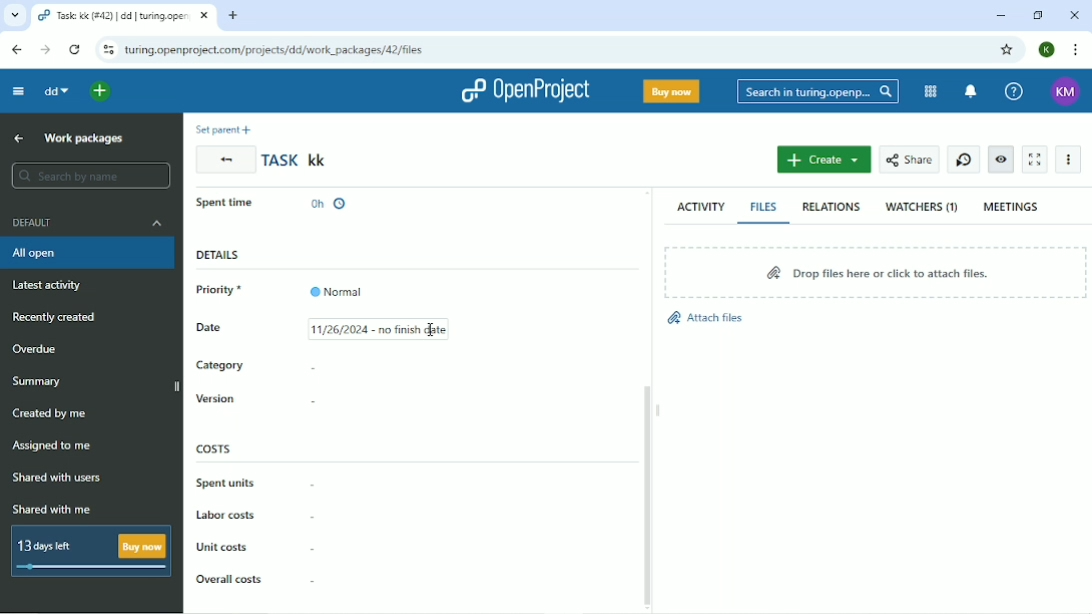 This screenshot has width=1092, height=614. I want to click on 13 days left Buy now, so click(89, 553).